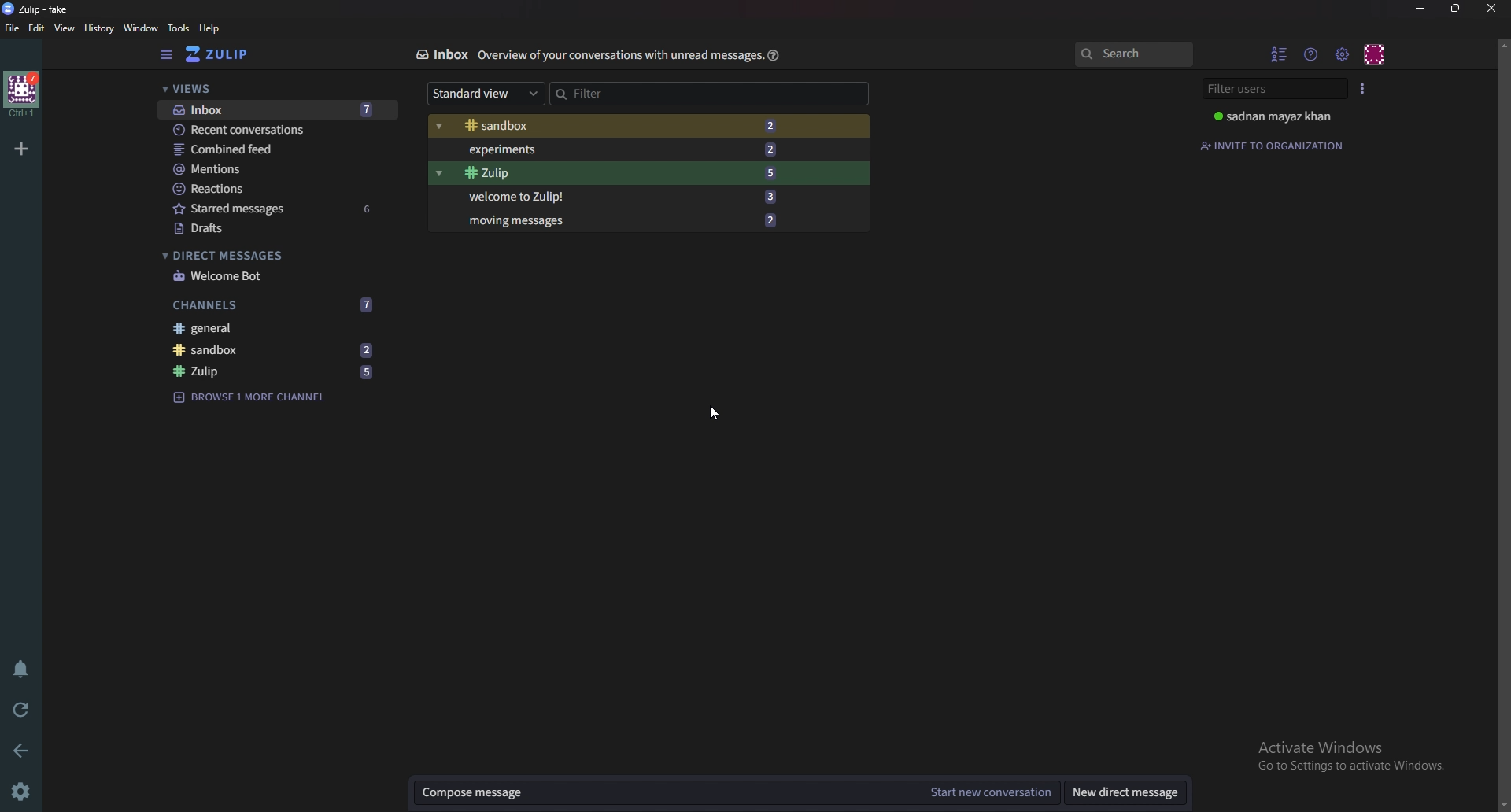 Image resolution: width=1511 pixels, height=812 pixels. Describe the element at coordinates (481, 94) in the screenshot. I see `Standard view` at that location.